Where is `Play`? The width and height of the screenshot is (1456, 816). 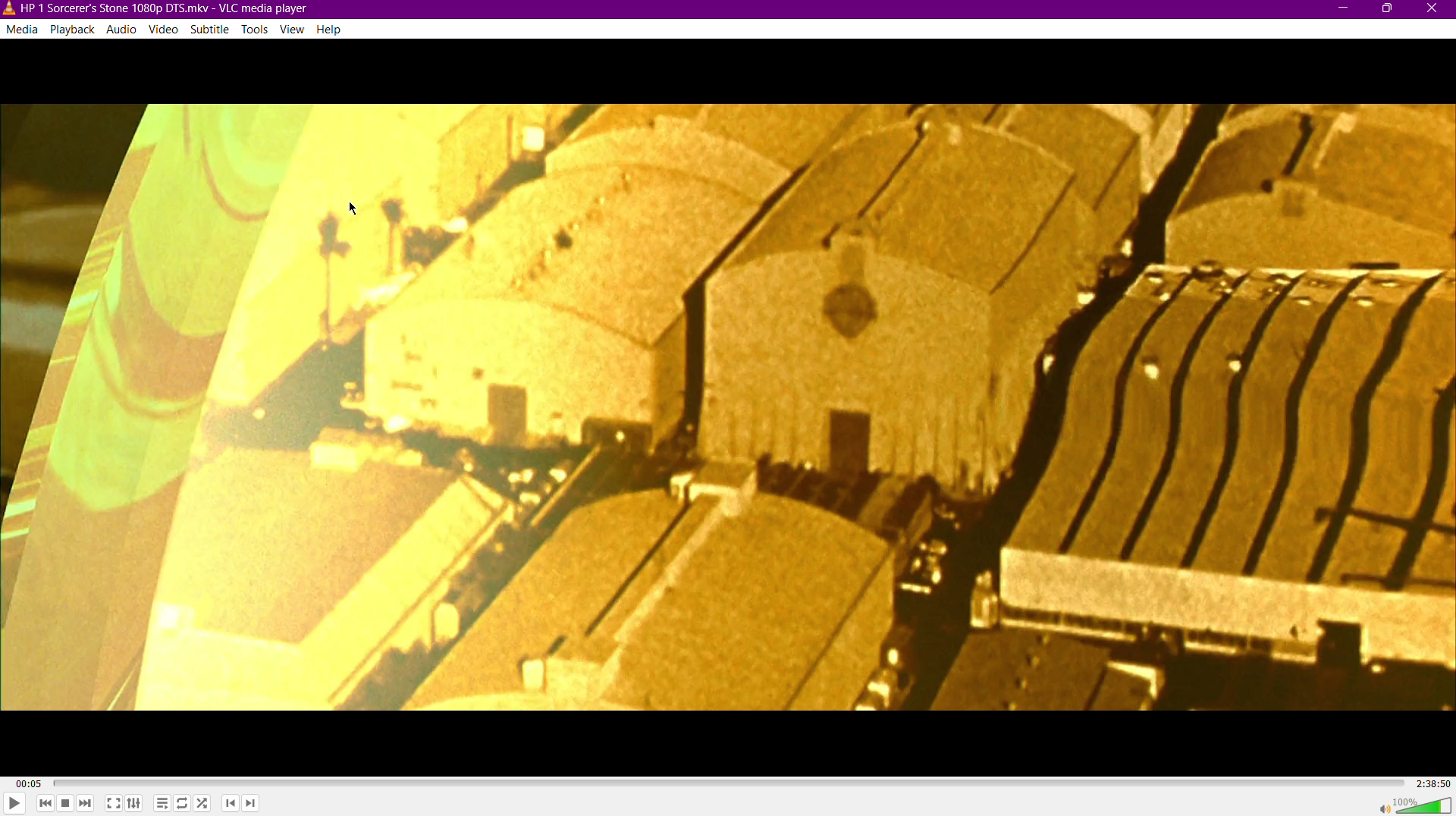 Play is located at coordinates (14, 802).